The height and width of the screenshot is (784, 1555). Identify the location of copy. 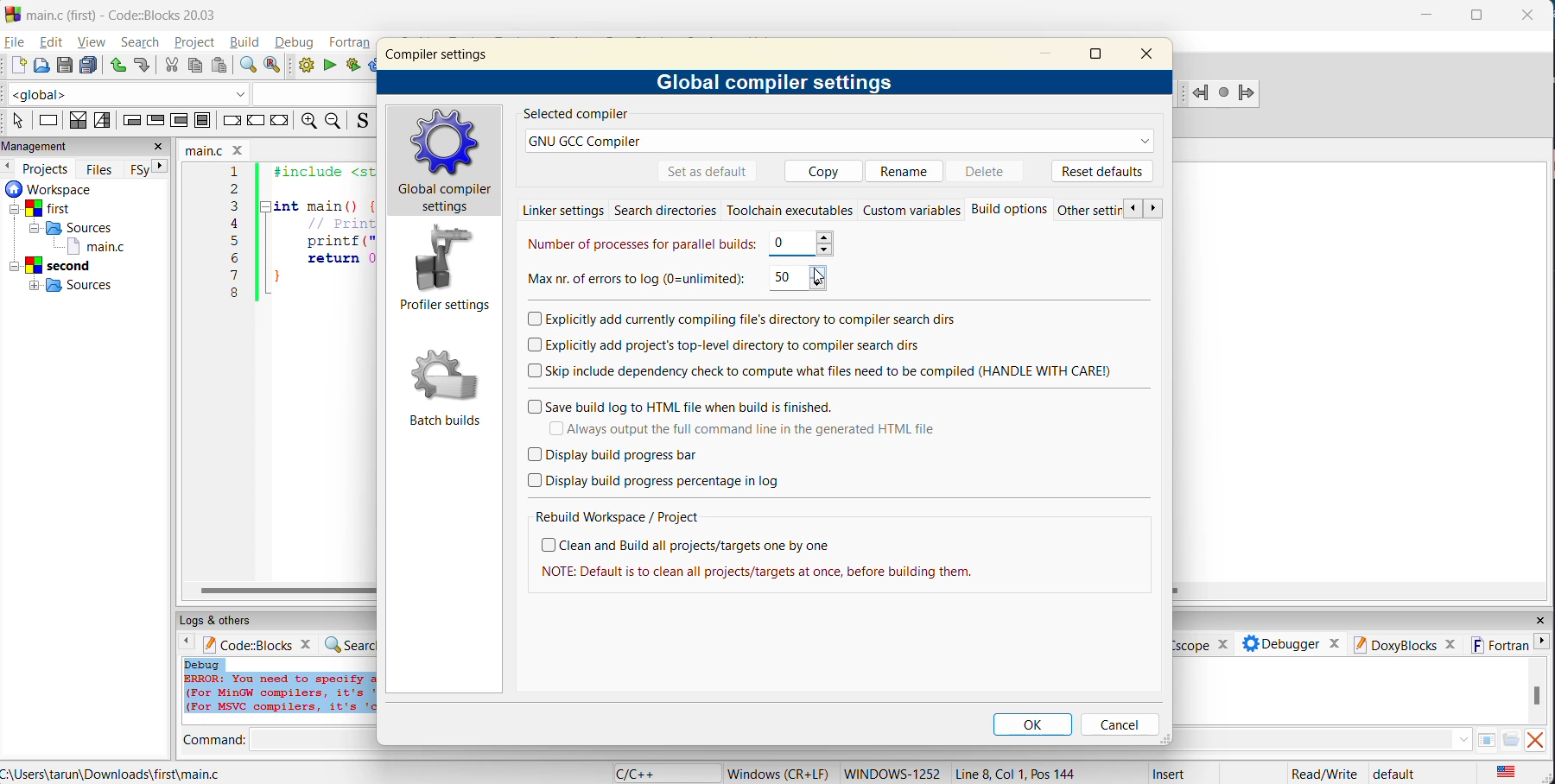
(825, 171).